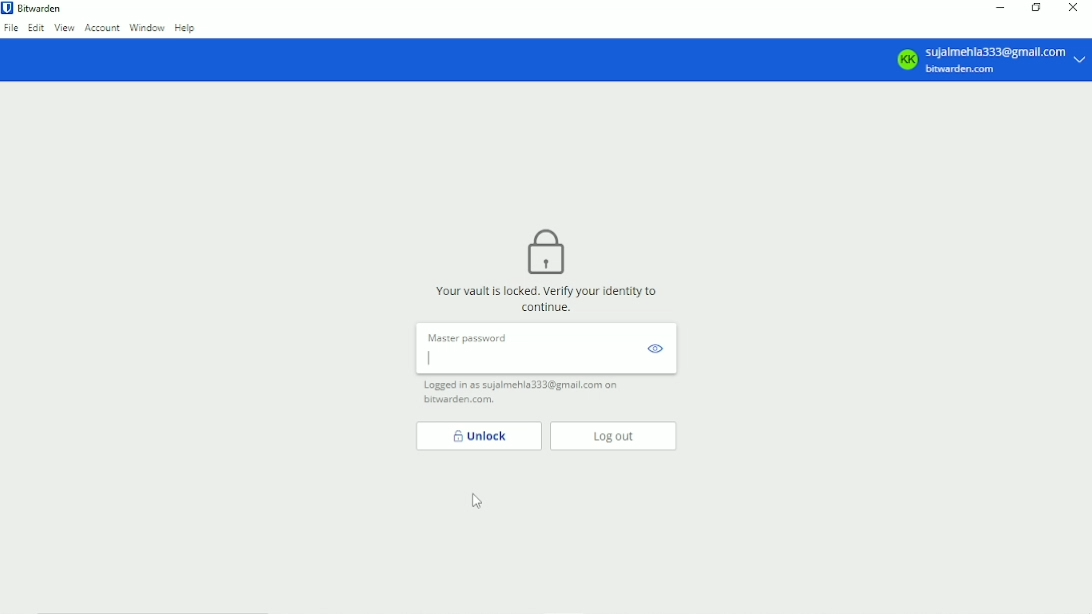  What do you see at coordinates (544, 349) in the screenshot?
I see `Master password` at bounding box center [544, 349].